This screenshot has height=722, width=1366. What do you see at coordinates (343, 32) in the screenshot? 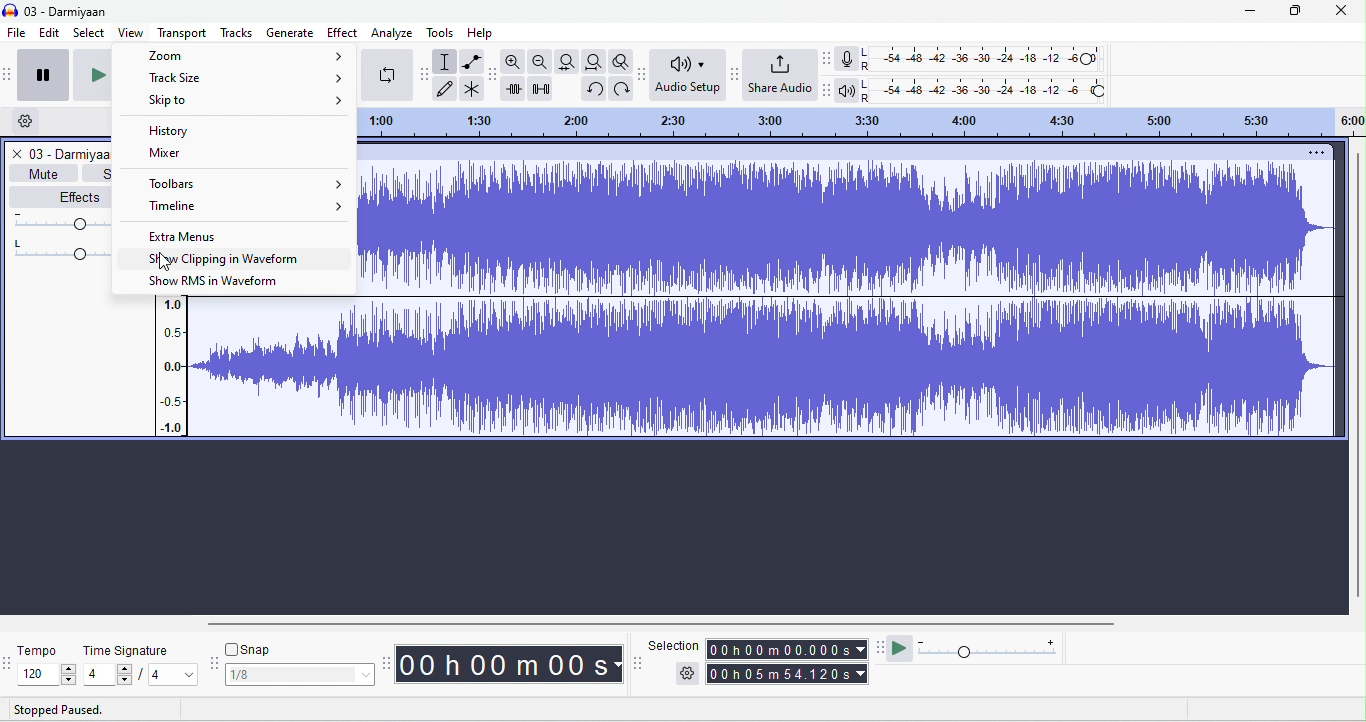
I see `effect` at bounding box center [343, 32].